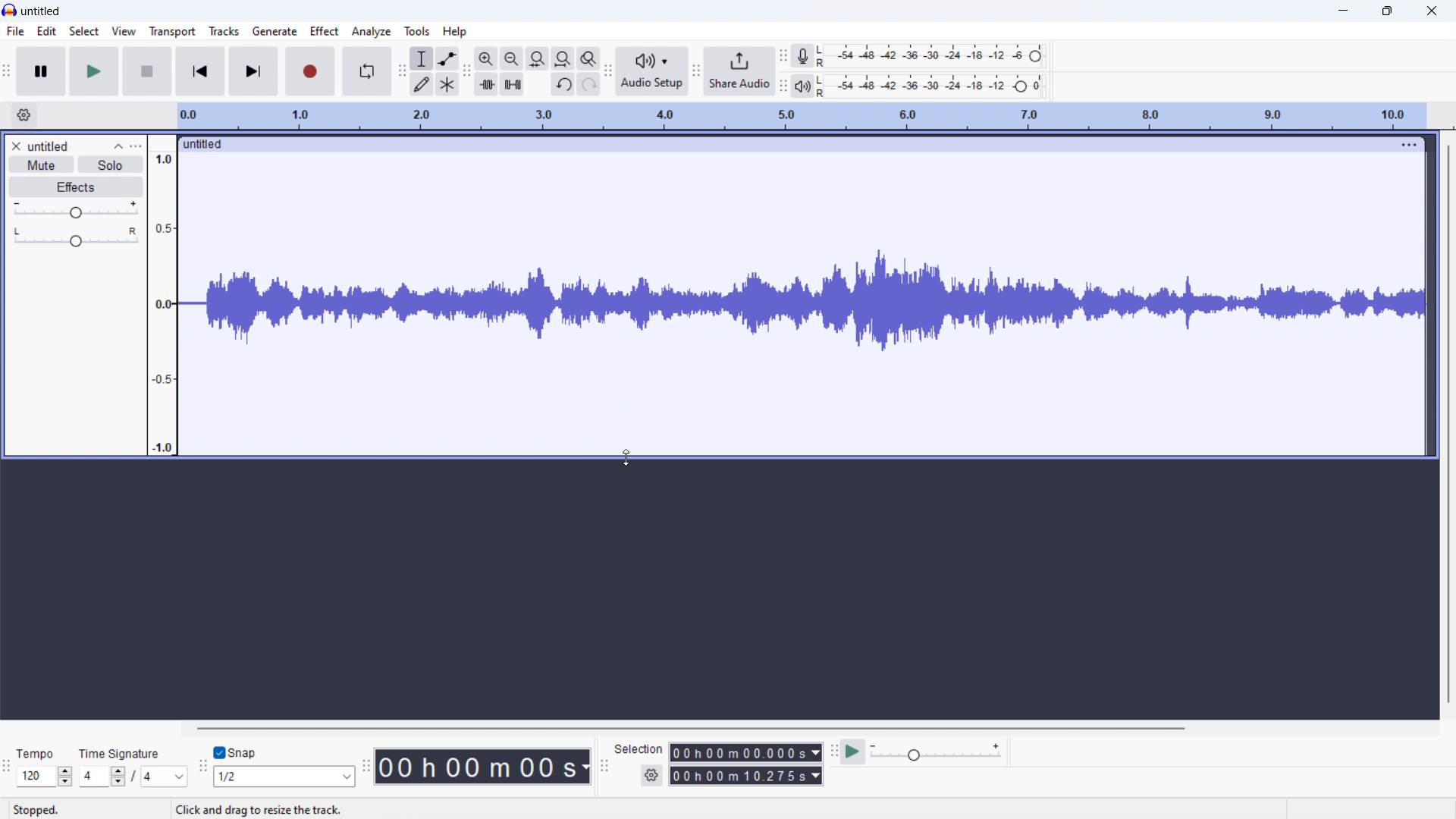 The image size is (1456, 819). Describe the element at coordinates (223, 31) in the screenshot. I see `tracks` at that location.